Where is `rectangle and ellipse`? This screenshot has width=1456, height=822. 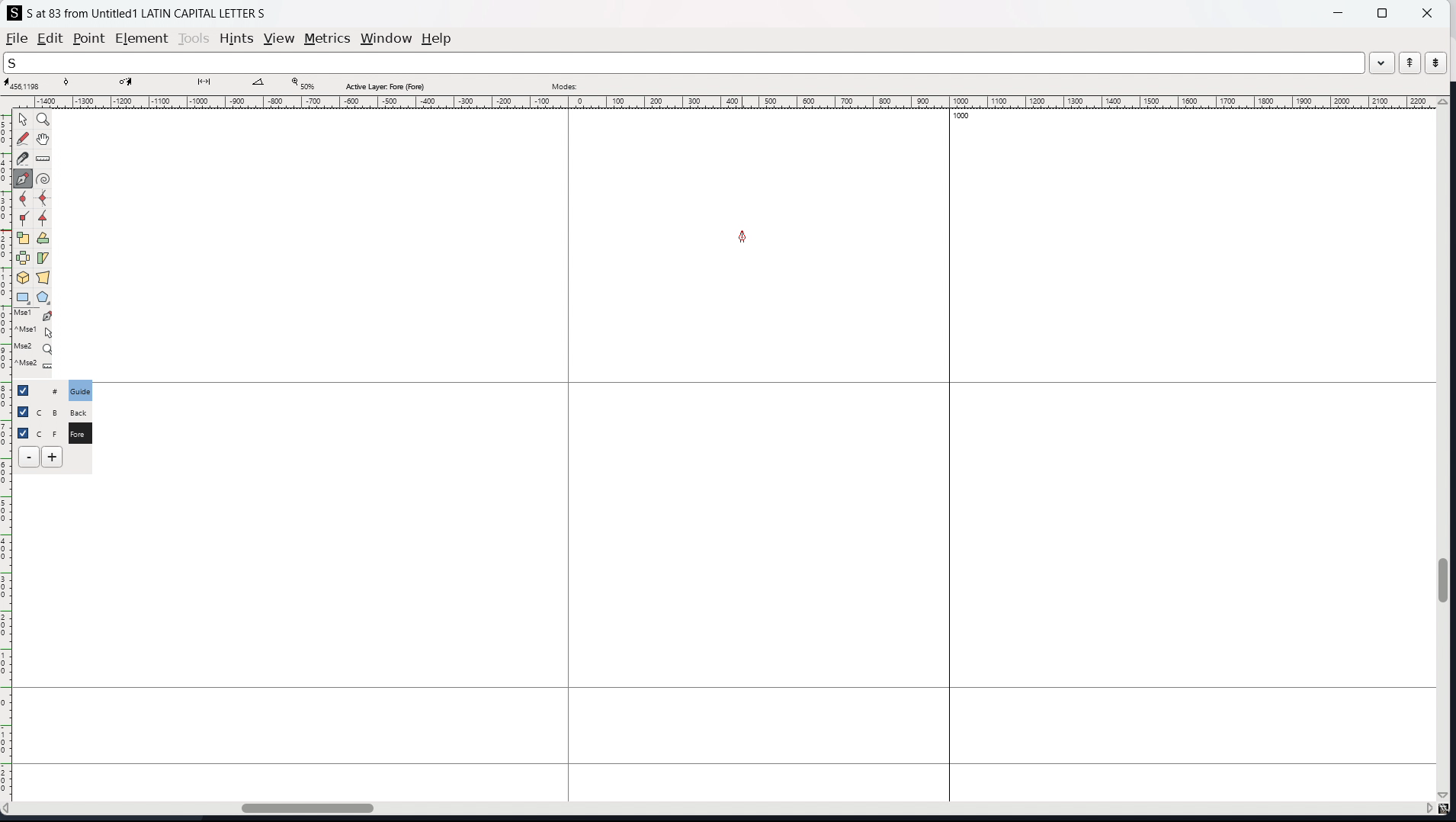 rectangle and ellipse is located at coordinates (24, 298).